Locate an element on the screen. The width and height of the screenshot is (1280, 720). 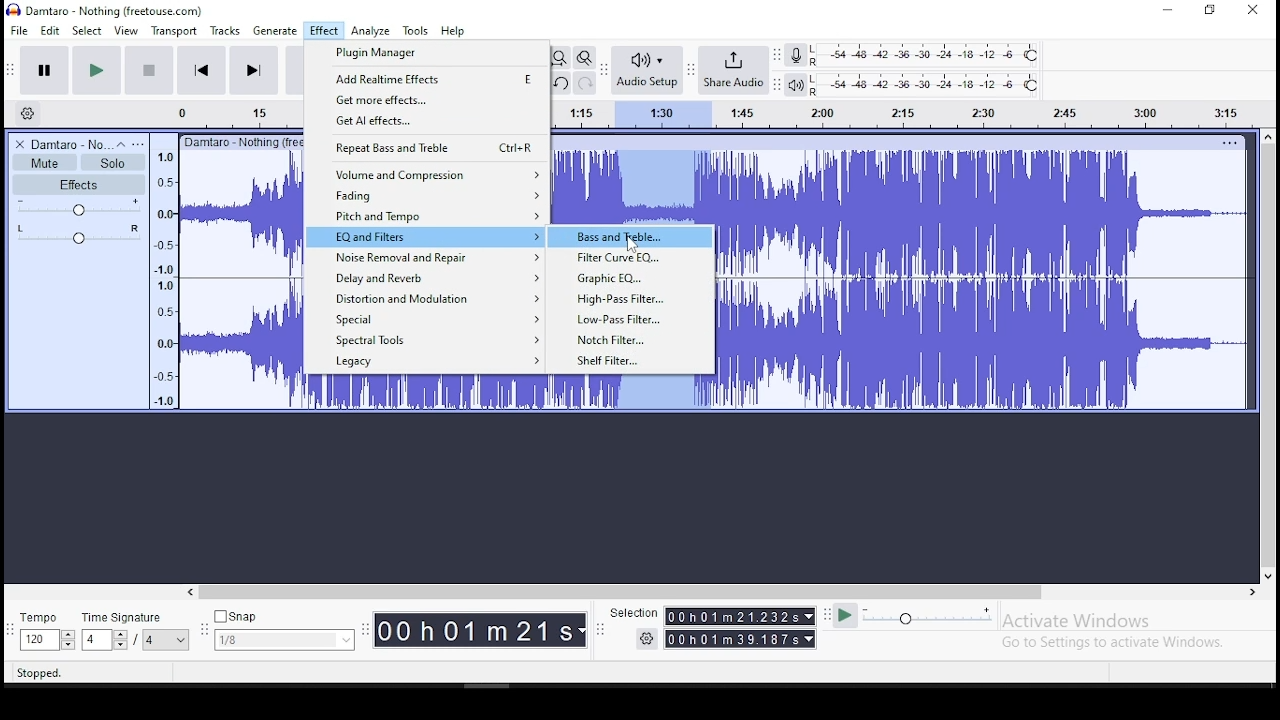
pan is located at coordinates (79, 234).